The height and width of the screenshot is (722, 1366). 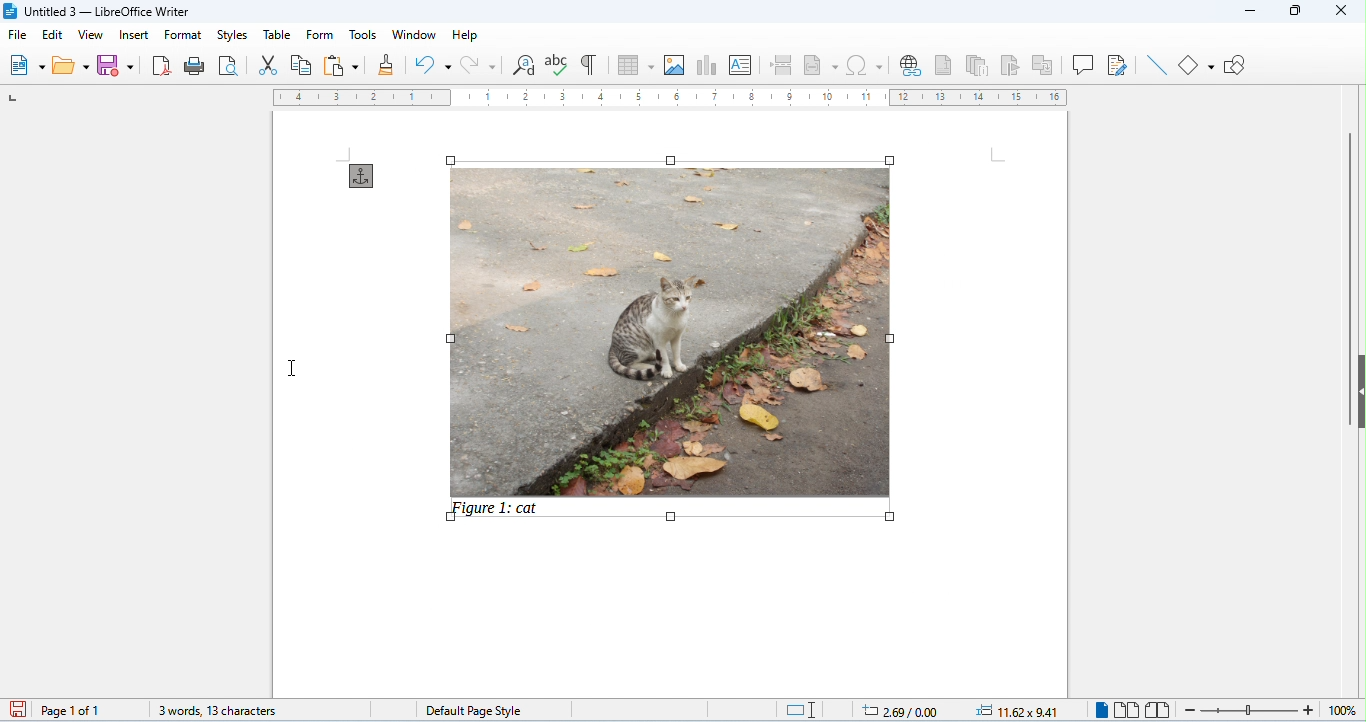 I want to click on minimize, so click(x=1247, y=14).